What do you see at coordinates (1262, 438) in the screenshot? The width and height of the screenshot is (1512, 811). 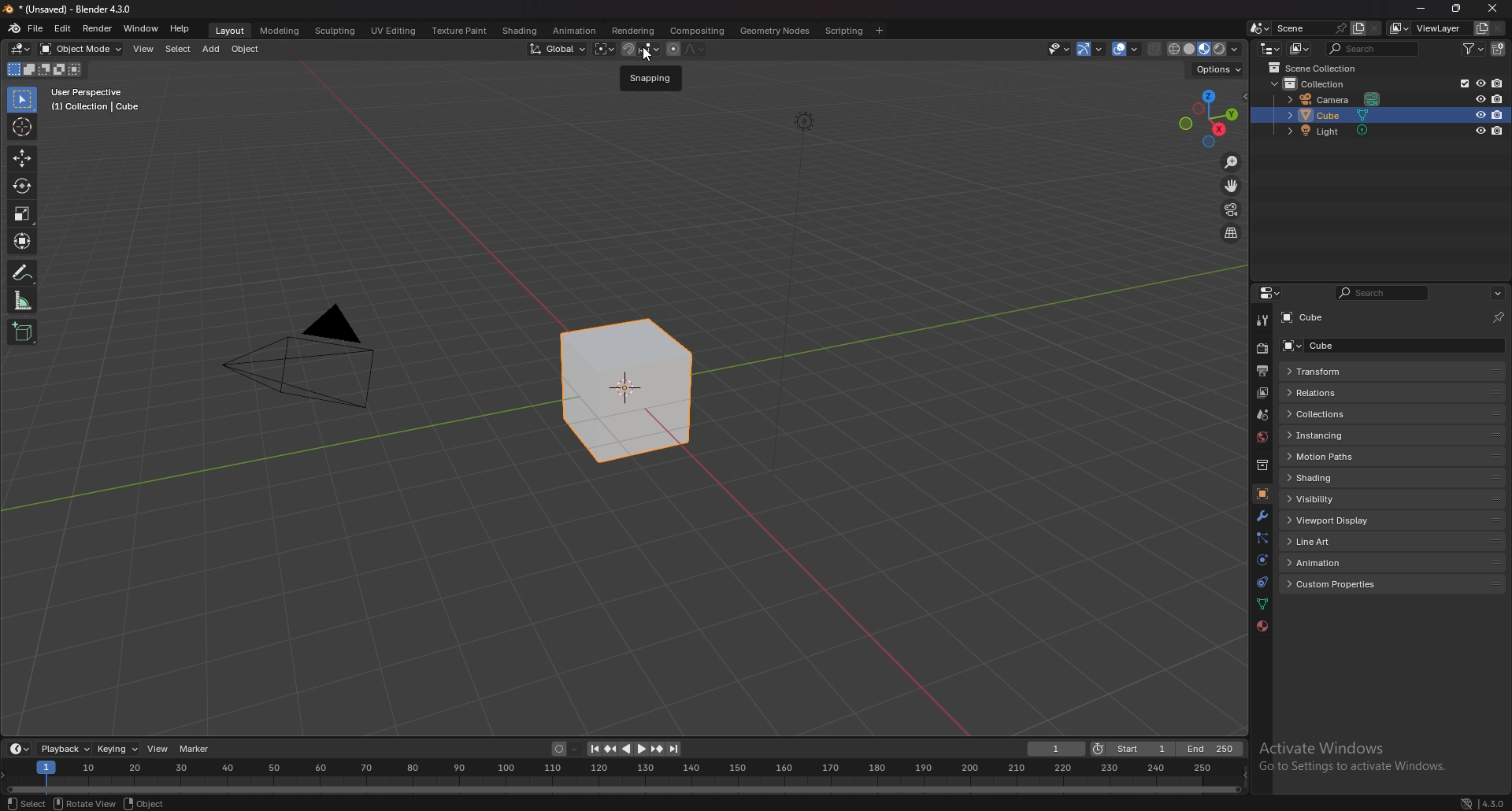 I see `world` at bounding box center [1262, 438].